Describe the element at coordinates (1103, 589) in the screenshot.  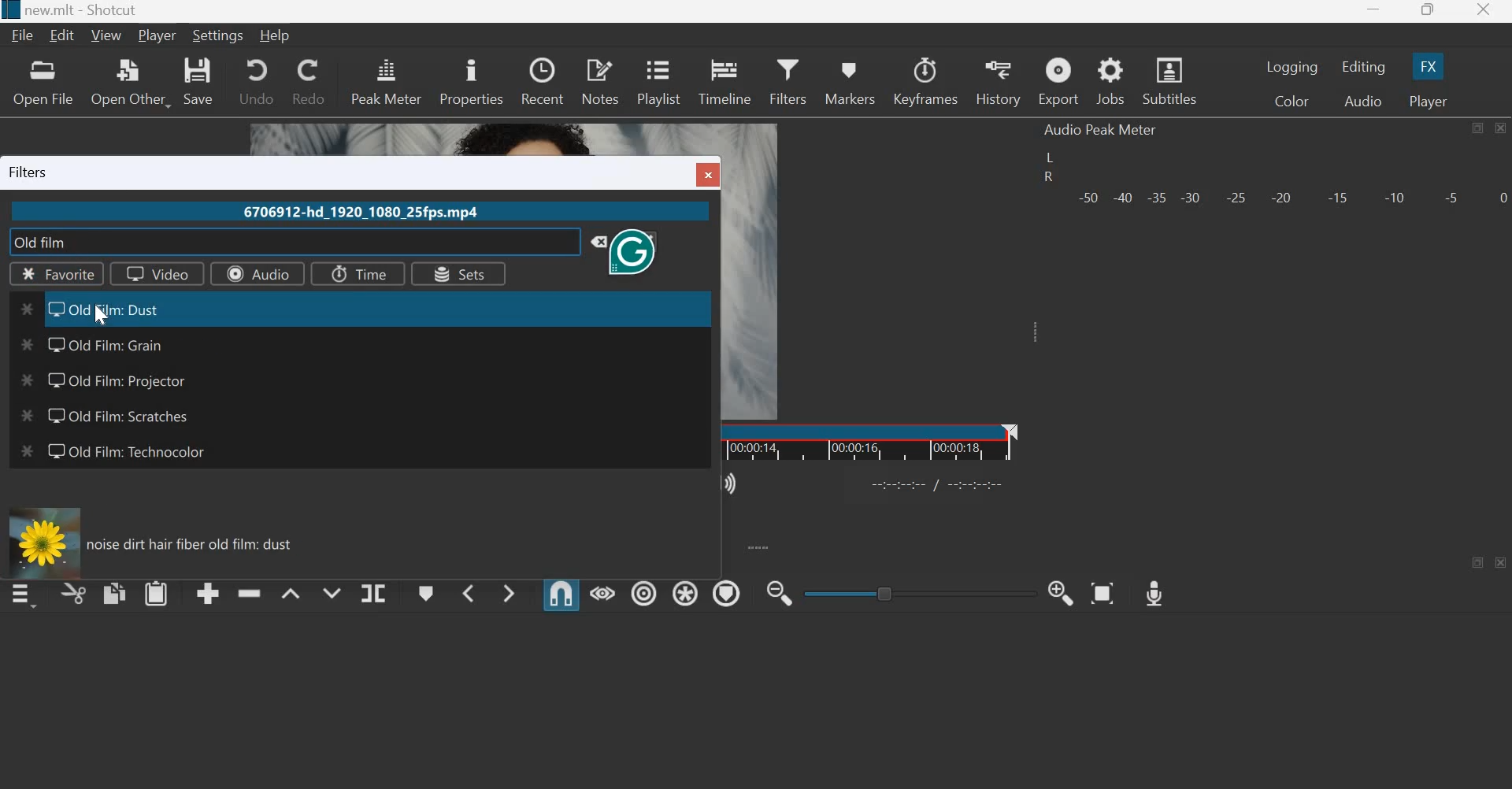
I see `Zoom Timeline to Fit` at that location.